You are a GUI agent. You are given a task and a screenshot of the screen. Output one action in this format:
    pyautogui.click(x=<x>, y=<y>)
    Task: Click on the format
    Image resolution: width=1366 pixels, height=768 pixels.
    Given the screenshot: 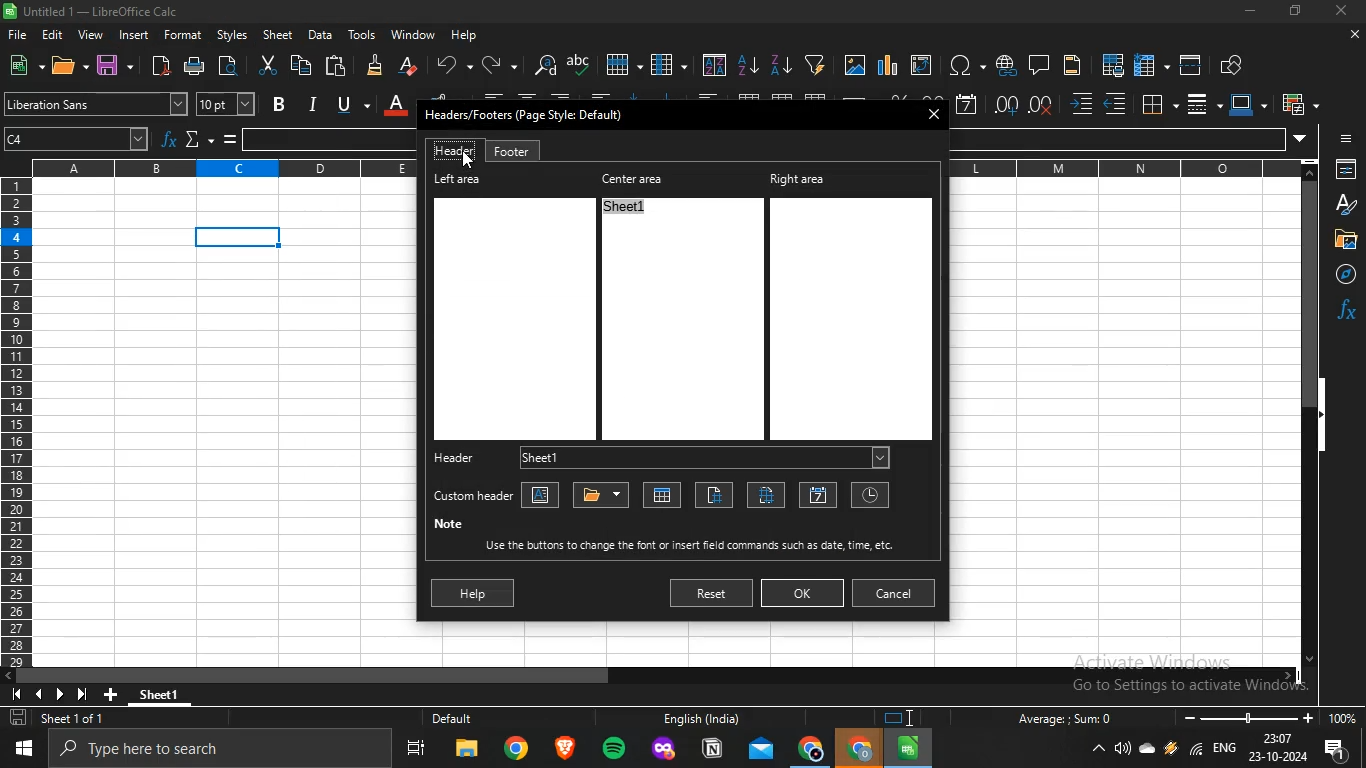 What is the action you would take?
    pyautogui.click(x=184, y=34)
    